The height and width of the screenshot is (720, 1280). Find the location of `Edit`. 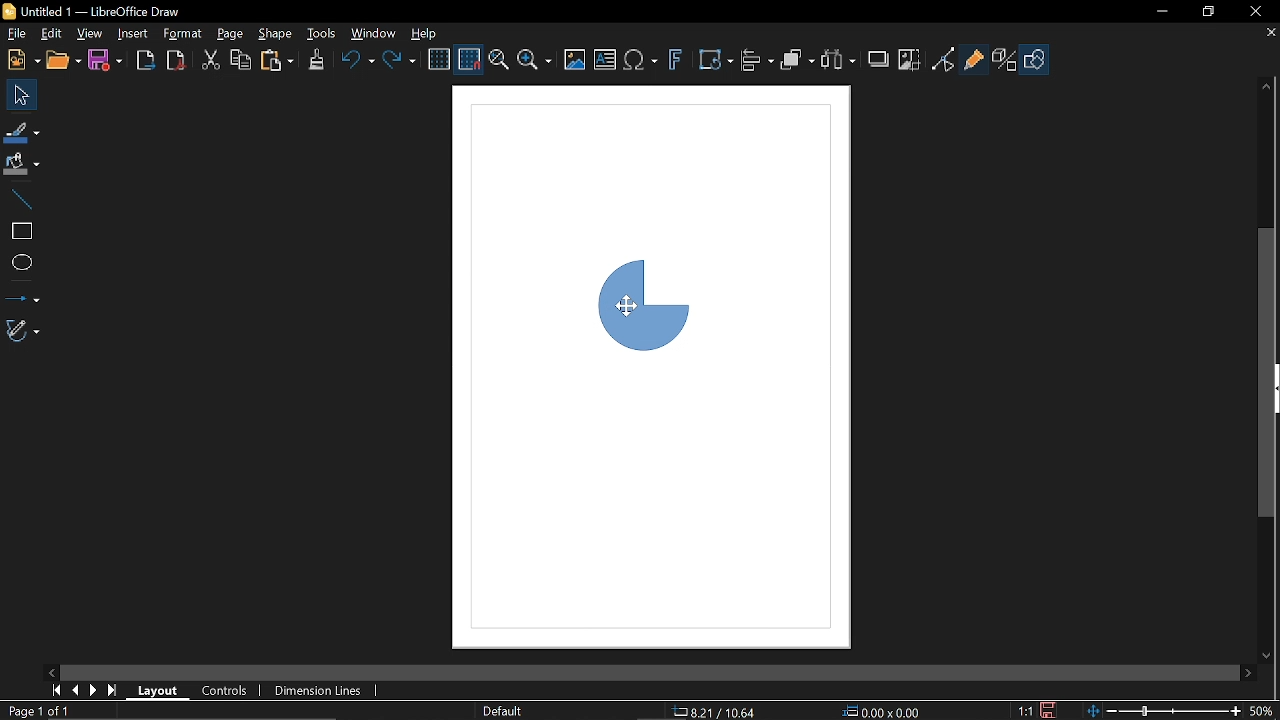

Edit is located at coordinates (48, 33).